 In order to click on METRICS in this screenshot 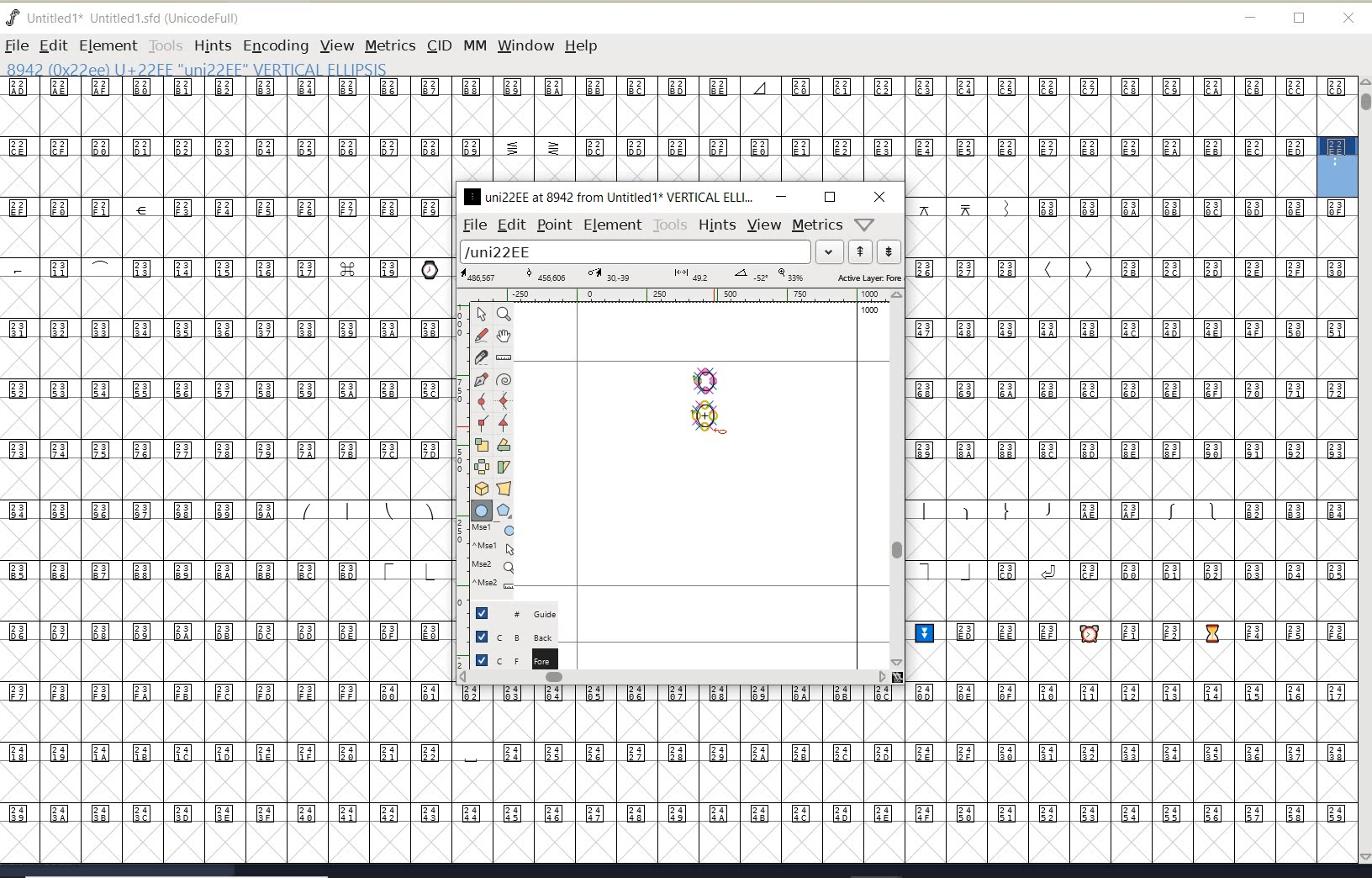, I will do `click(390, 45)`.